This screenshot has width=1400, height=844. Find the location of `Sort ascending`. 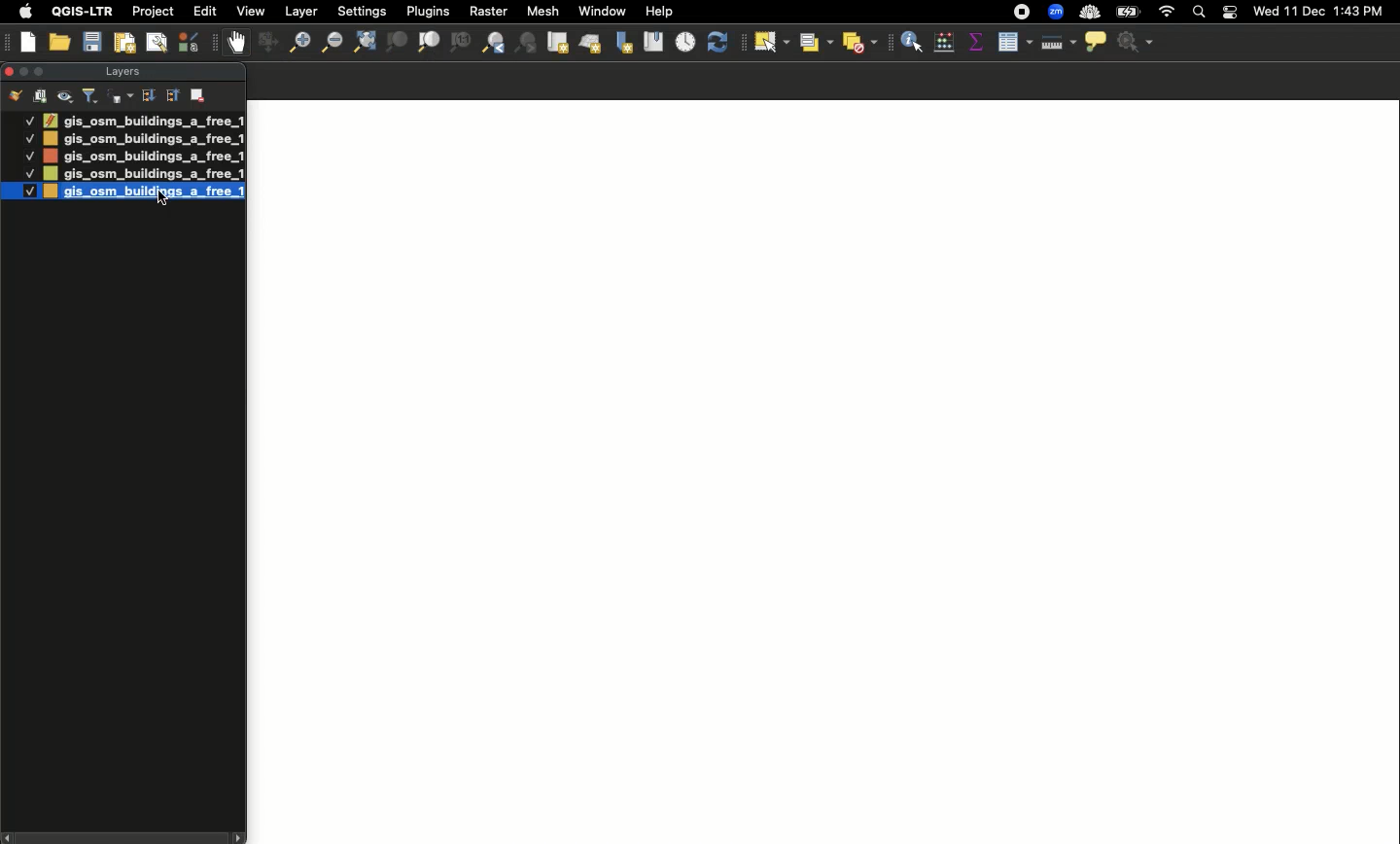

Sort ascending is located at coordinates (171, 94).